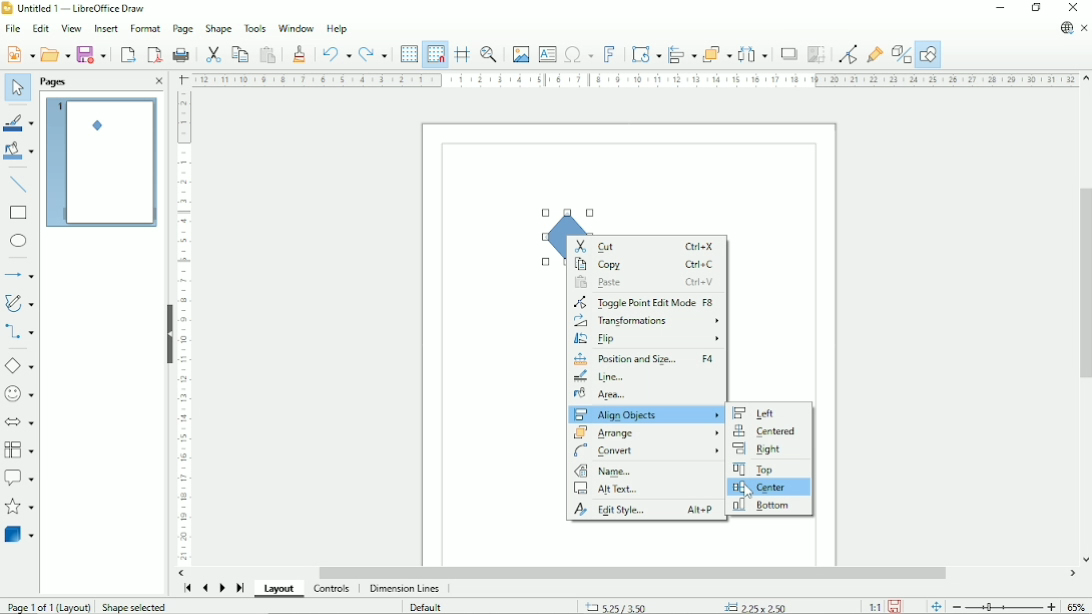 The width and height of the screenshot is (1092, 614). What do you see at coordinates (186, 589) in the screenshot?
I see `Scroll to first page` at bounding box center [186, 589].